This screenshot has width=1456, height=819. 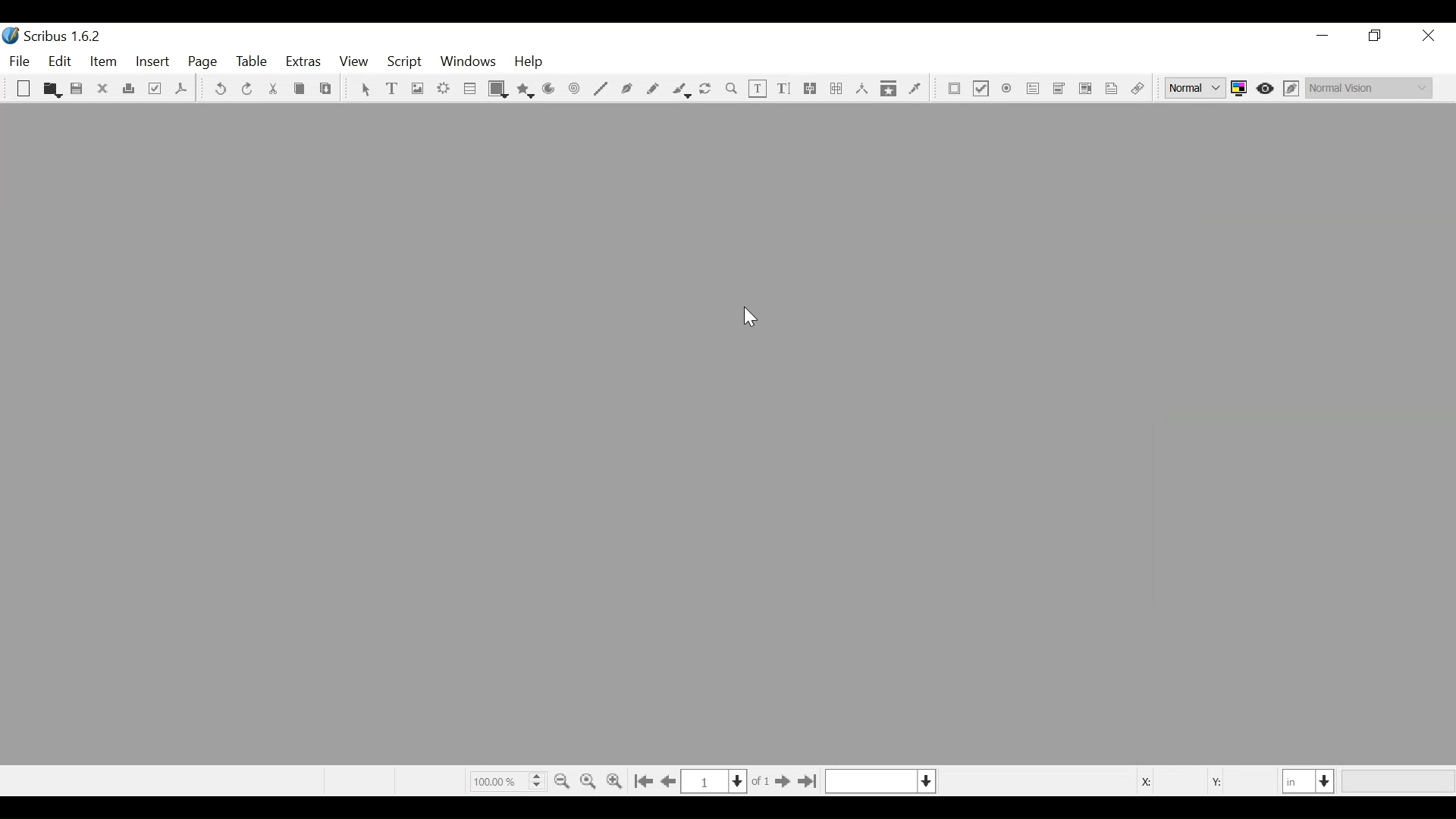 What do you see at coordinates (24, 90) in the screenshot?
I see `New` at bounding box center [24, 90].